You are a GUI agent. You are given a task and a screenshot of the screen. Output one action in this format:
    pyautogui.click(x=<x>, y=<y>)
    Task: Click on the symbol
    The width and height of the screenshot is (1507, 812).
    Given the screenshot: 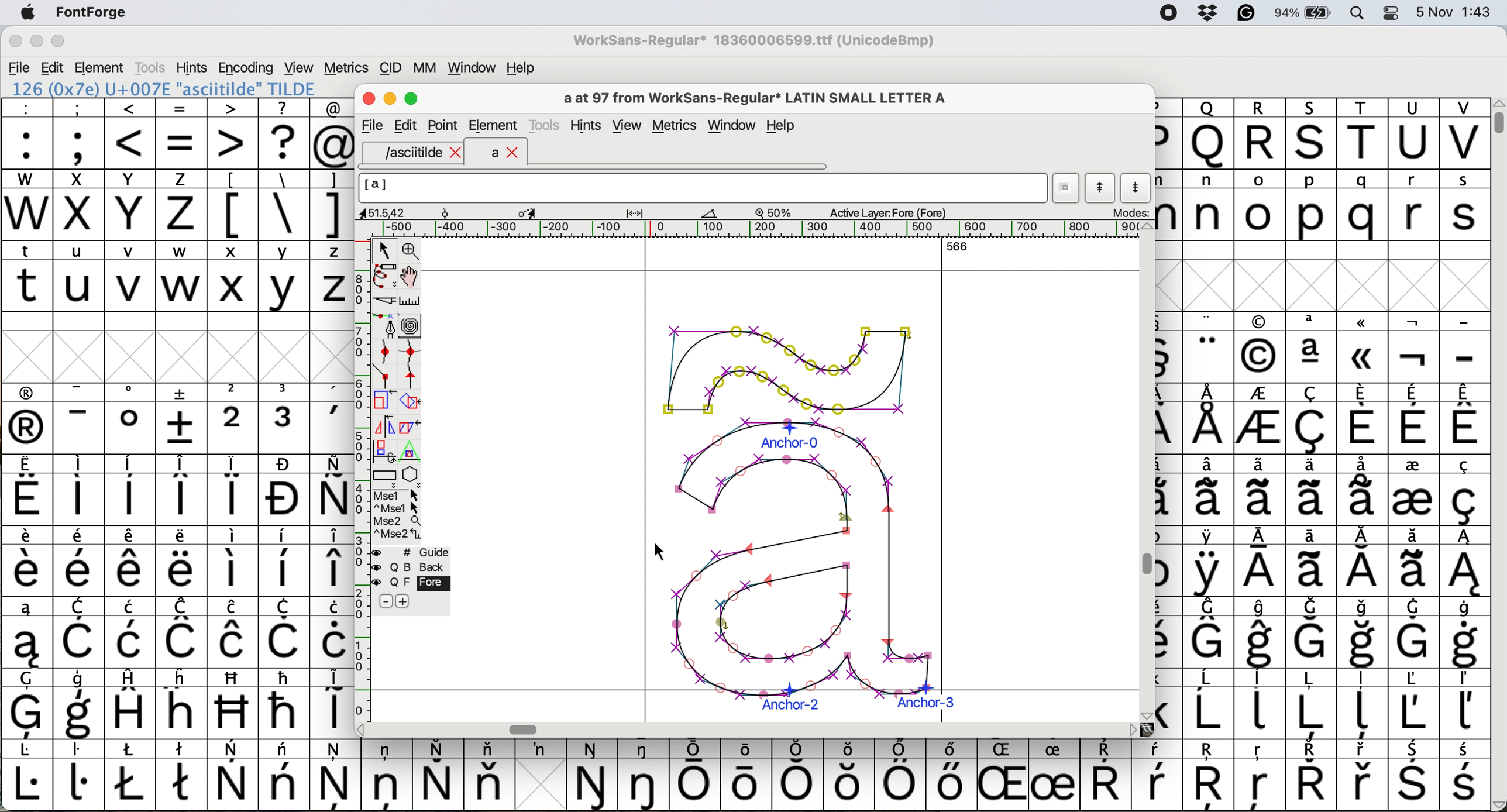 What is the action you would take?
    pyautogui.click(x=1157, y=775)
    